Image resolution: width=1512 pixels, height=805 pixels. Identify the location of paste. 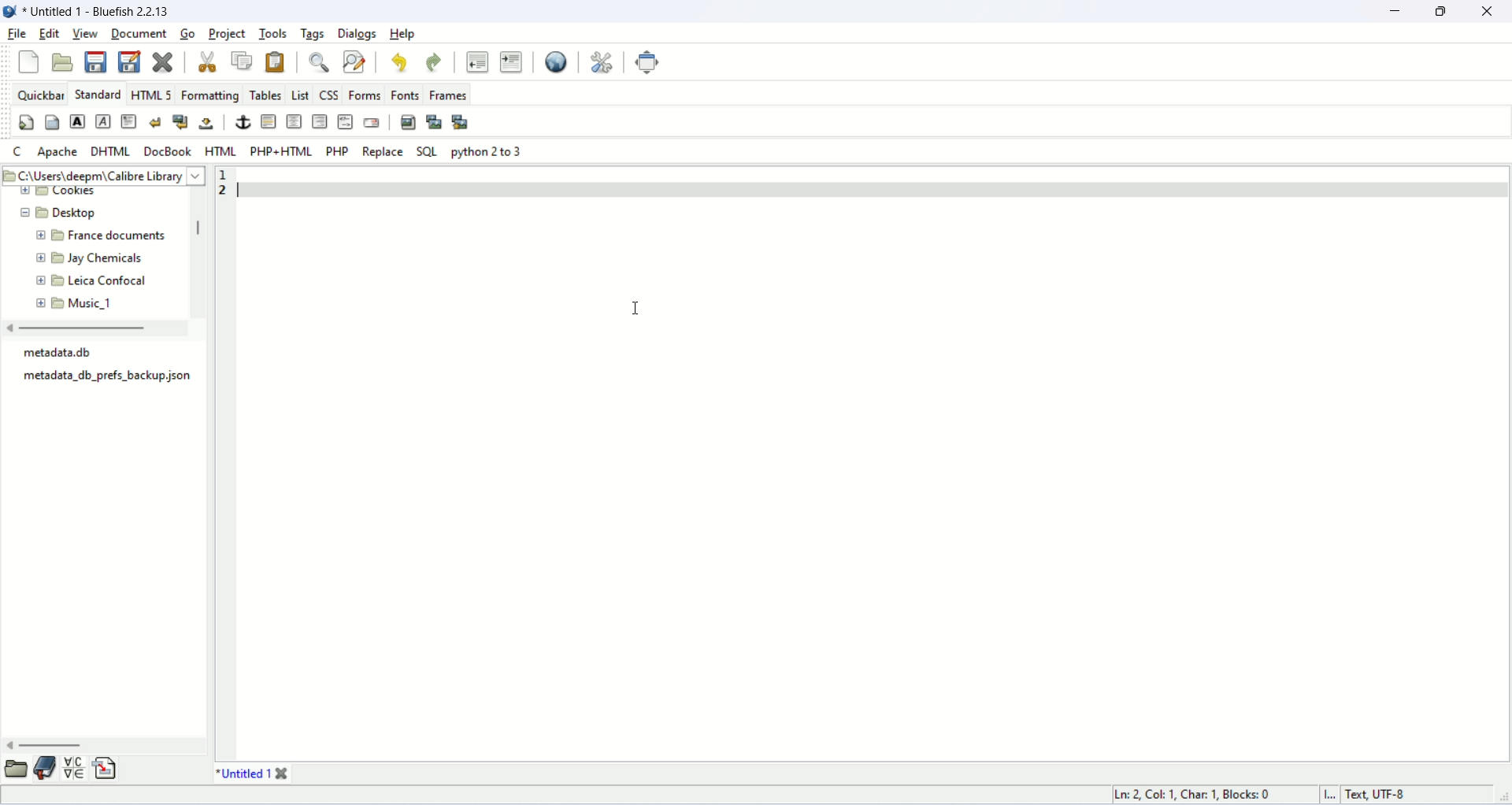
(274, 63).